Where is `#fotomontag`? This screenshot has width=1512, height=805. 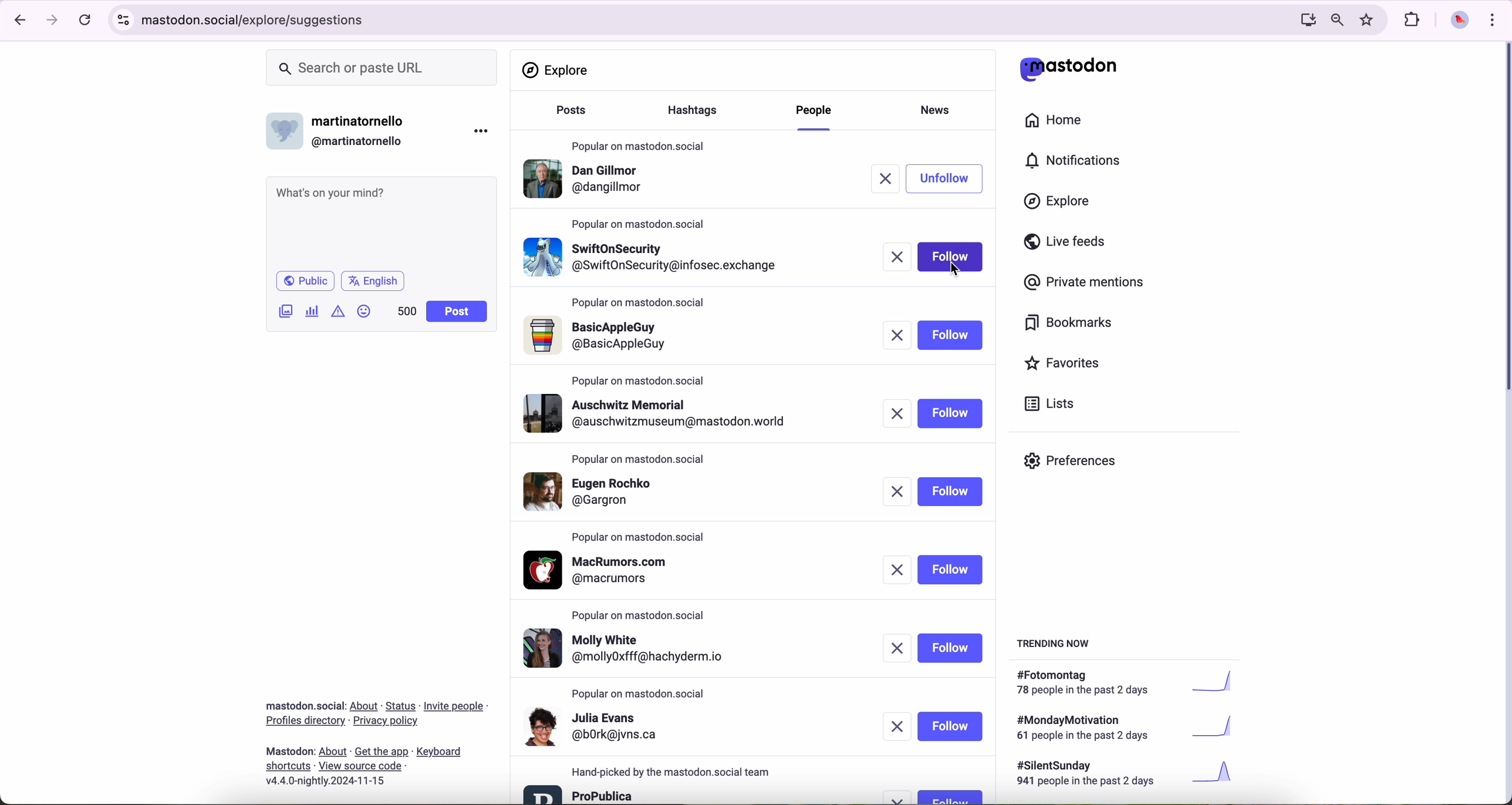 #fotomontag is located at coordinates (1133, 683).